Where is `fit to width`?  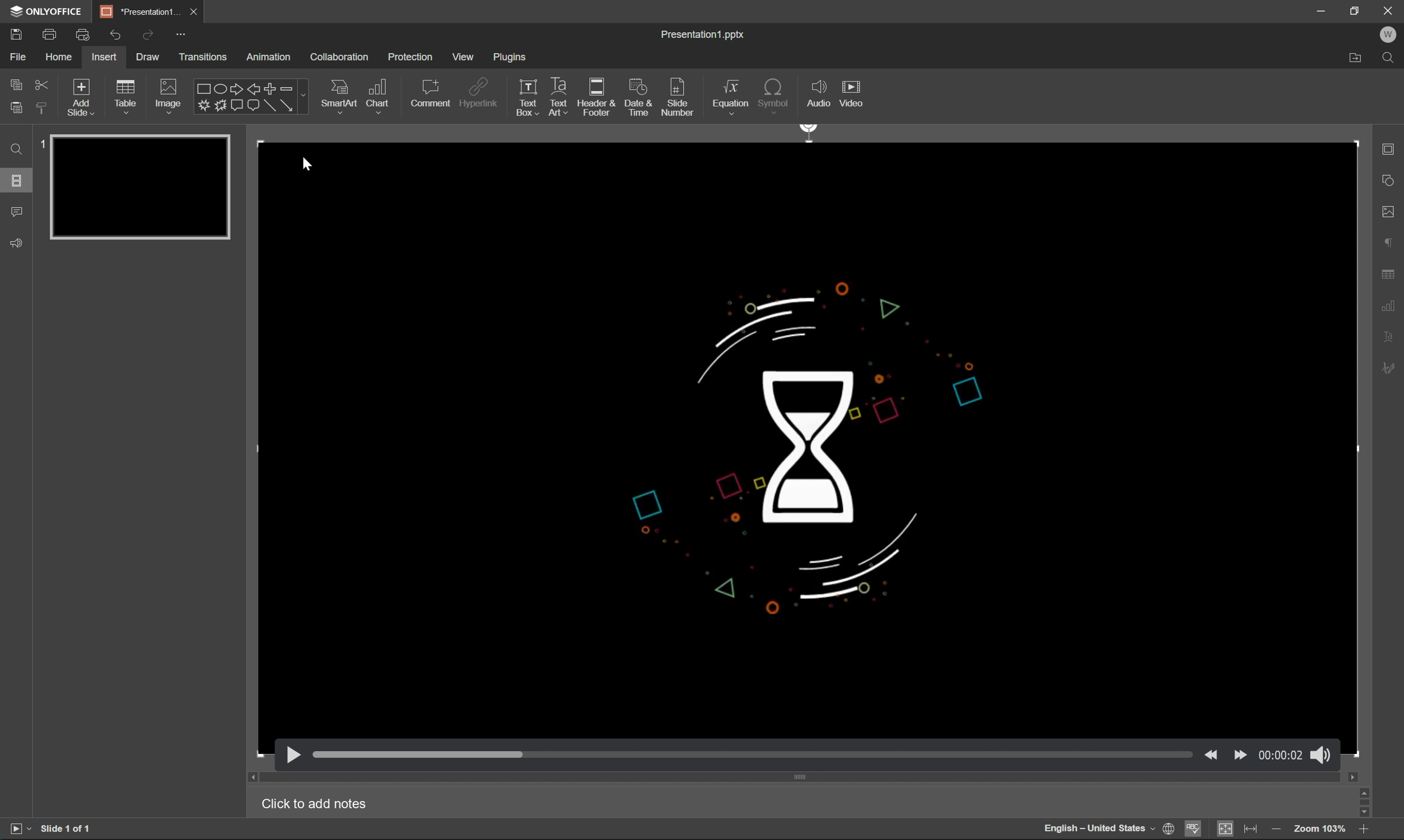 fit to width is located at coordinates (1249, 827).